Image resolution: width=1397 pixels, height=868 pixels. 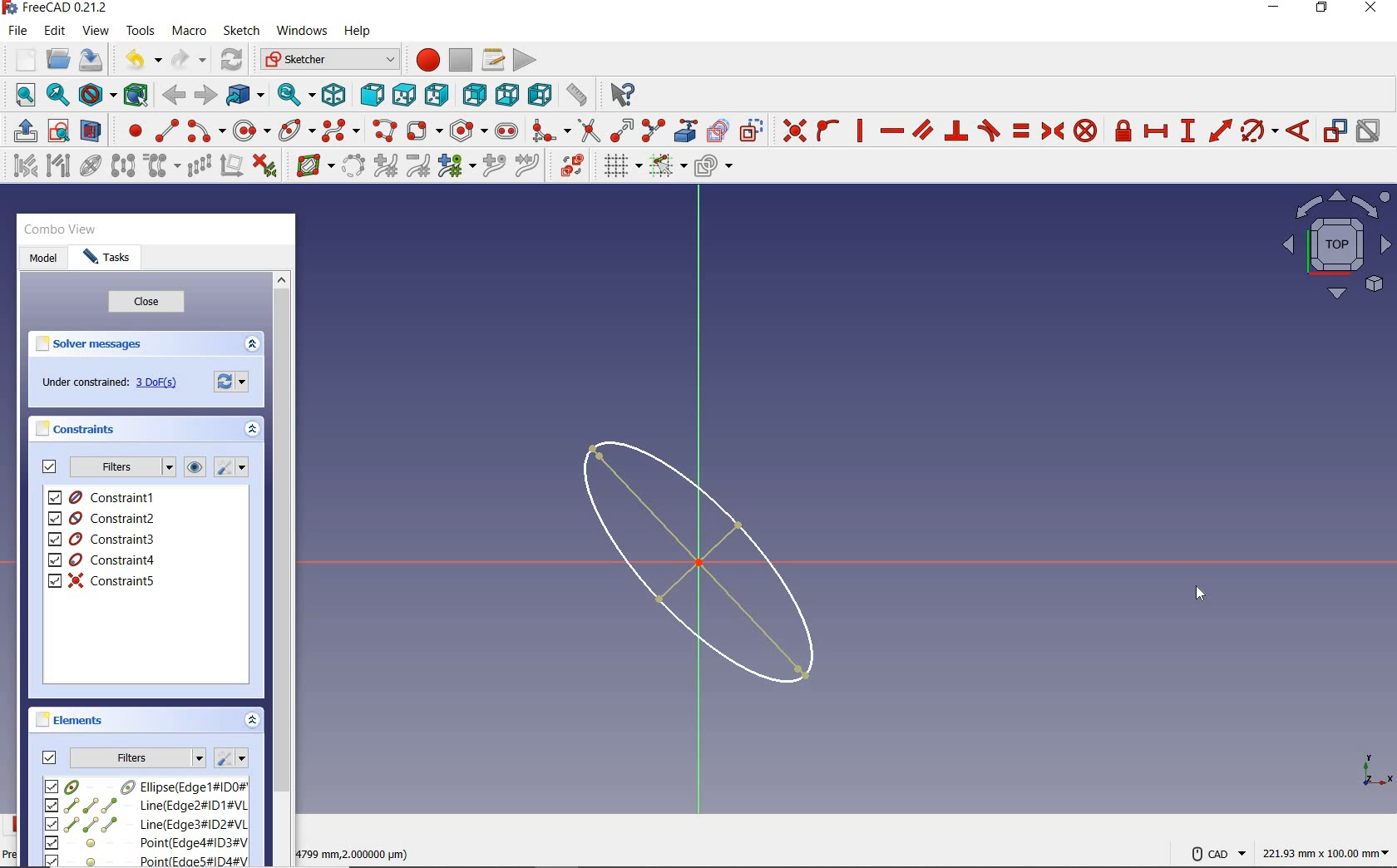 What do you see at coordinates (1334, 244) in the screenshot?
I see `sketch view` at bounding box center [1334, 244].